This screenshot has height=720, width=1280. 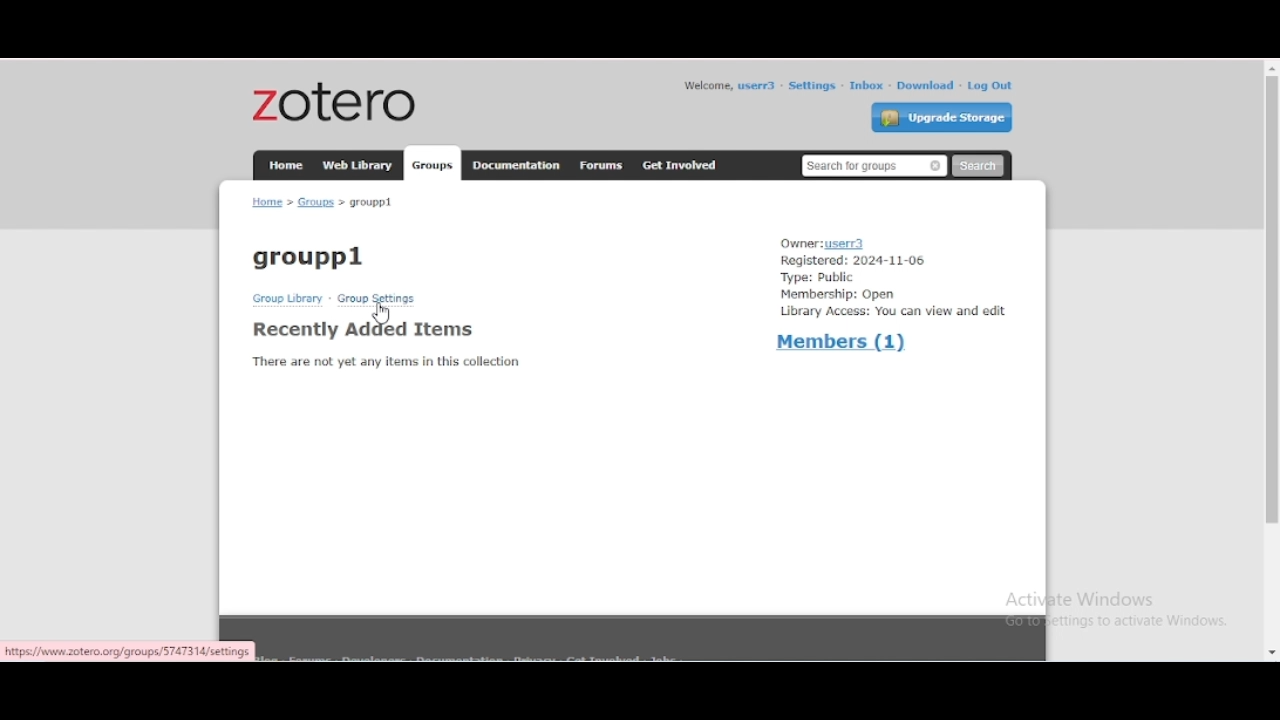 What do you see at coordinates (382, 313) in the screenshot?
I see `cursor` at bounding box center [382, 313].